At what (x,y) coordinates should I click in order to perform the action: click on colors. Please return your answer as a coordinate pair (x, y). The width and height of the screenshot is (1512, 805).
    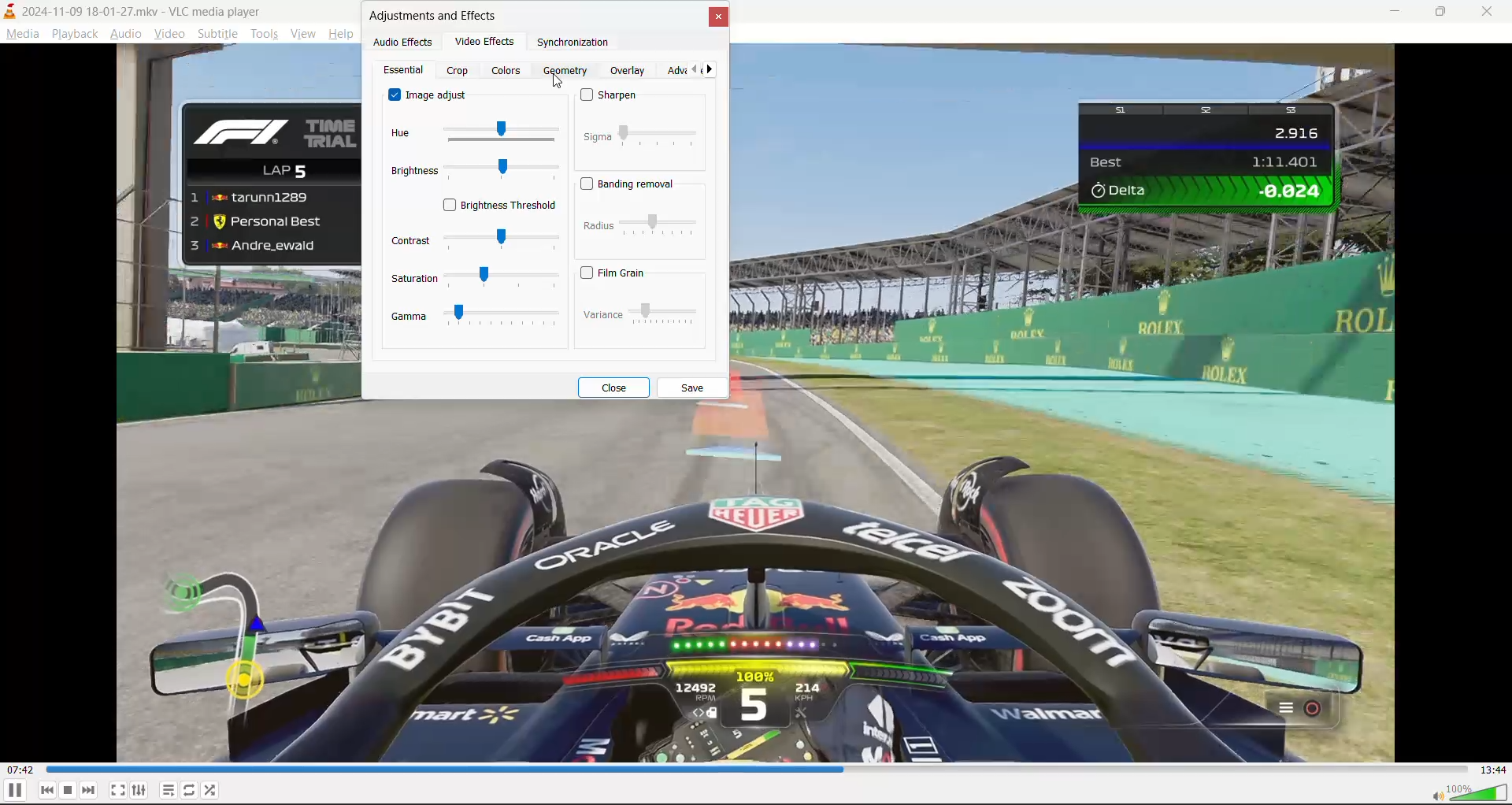
    Looking at the image, I should click on (508, 69).